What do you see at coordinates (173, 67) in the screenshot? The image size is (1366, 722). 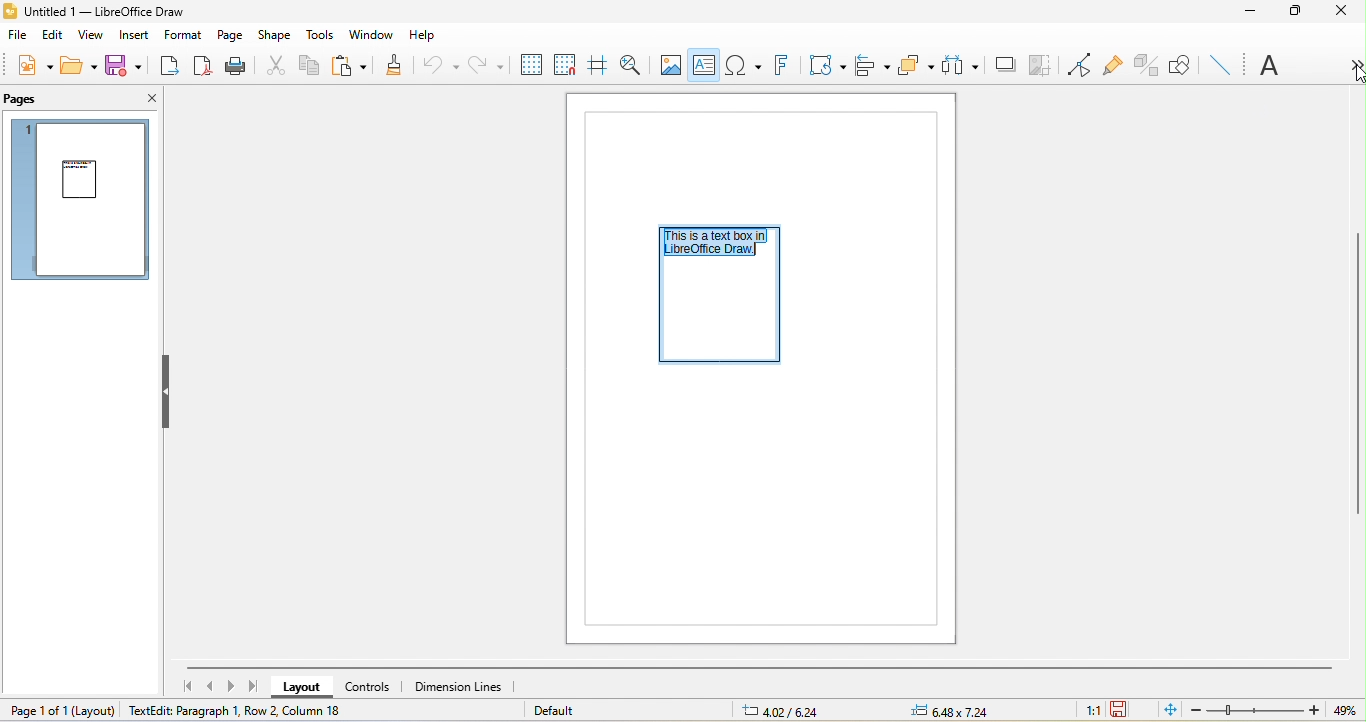 I see `export` at bounding box center [173, 67].